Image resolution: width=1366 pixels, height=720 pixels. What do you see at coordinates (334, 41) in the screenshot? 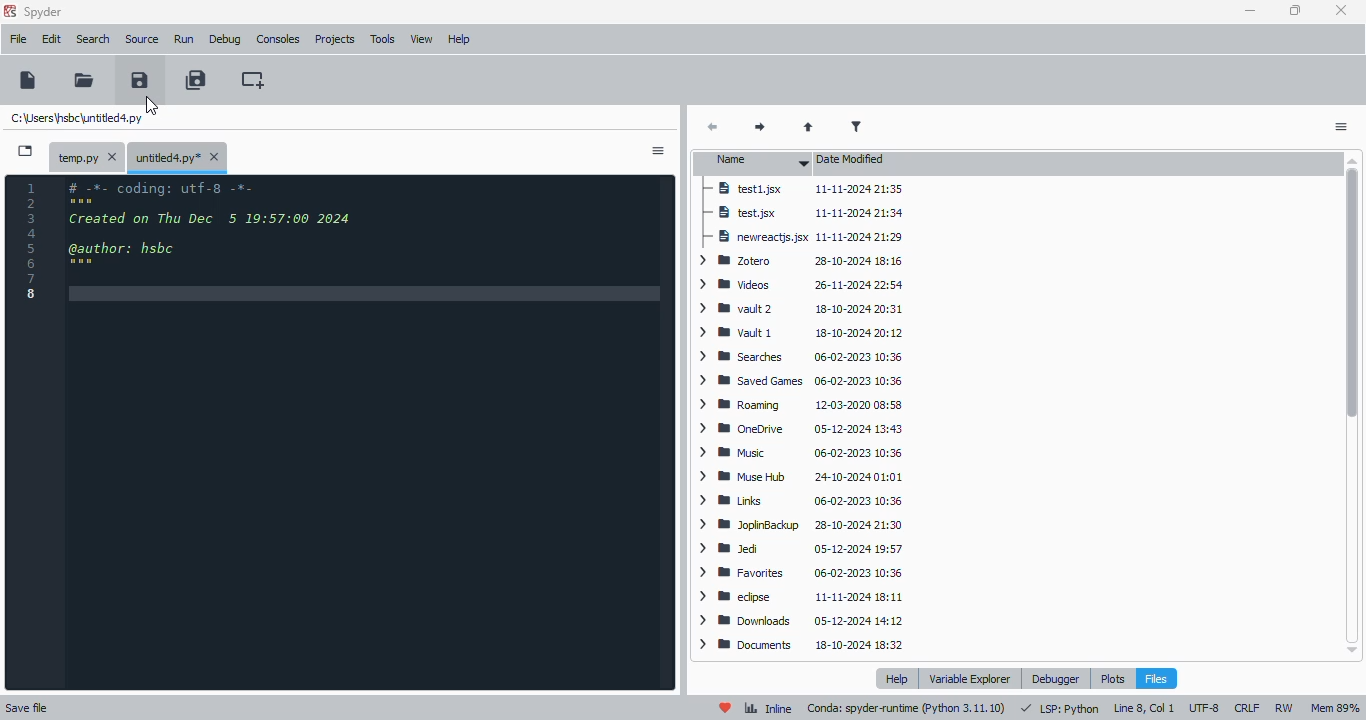
I see `projects` at bounding box center [334, 41].